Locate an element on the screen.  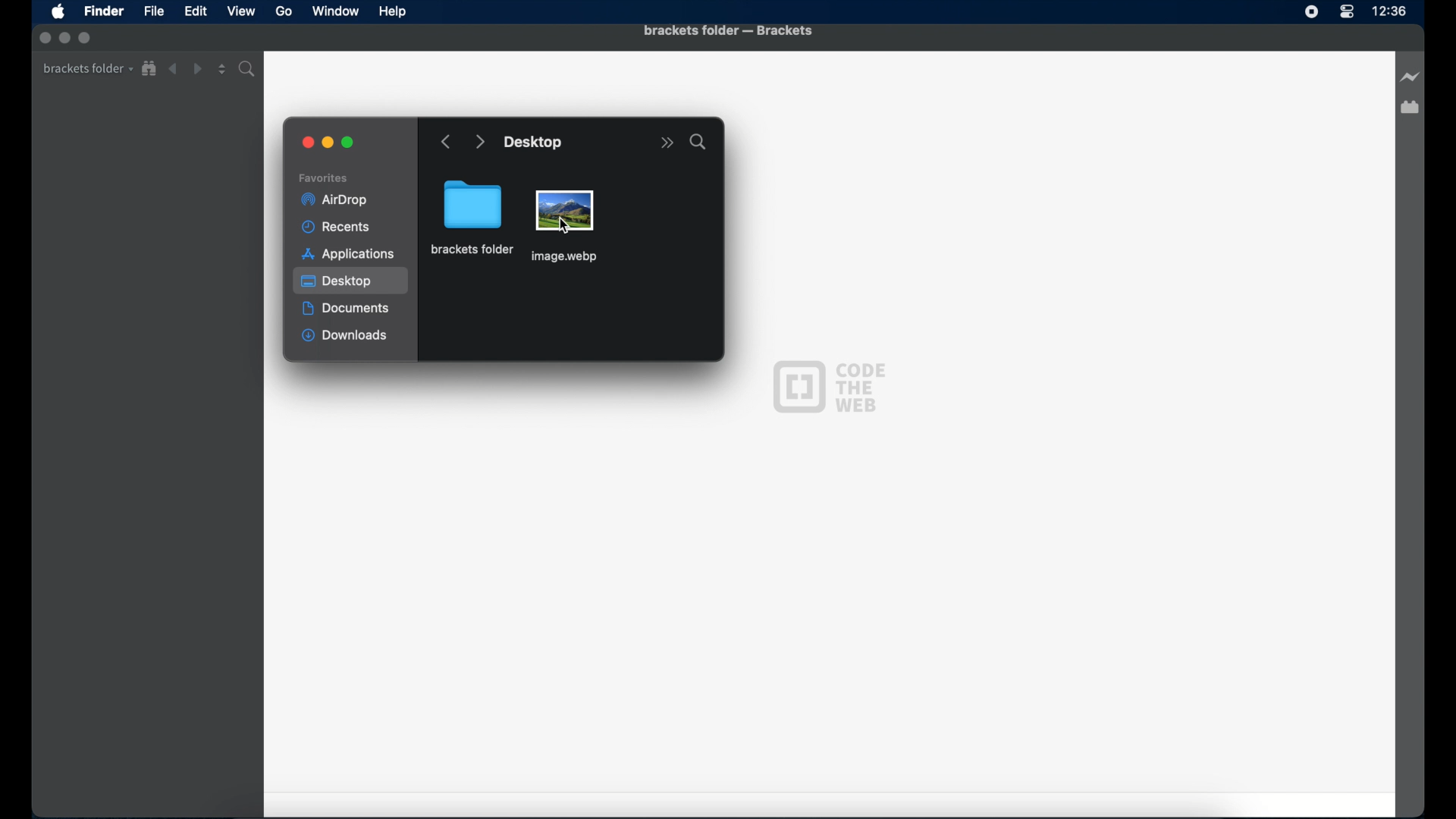
cursor is located at coordinates (563, 225).